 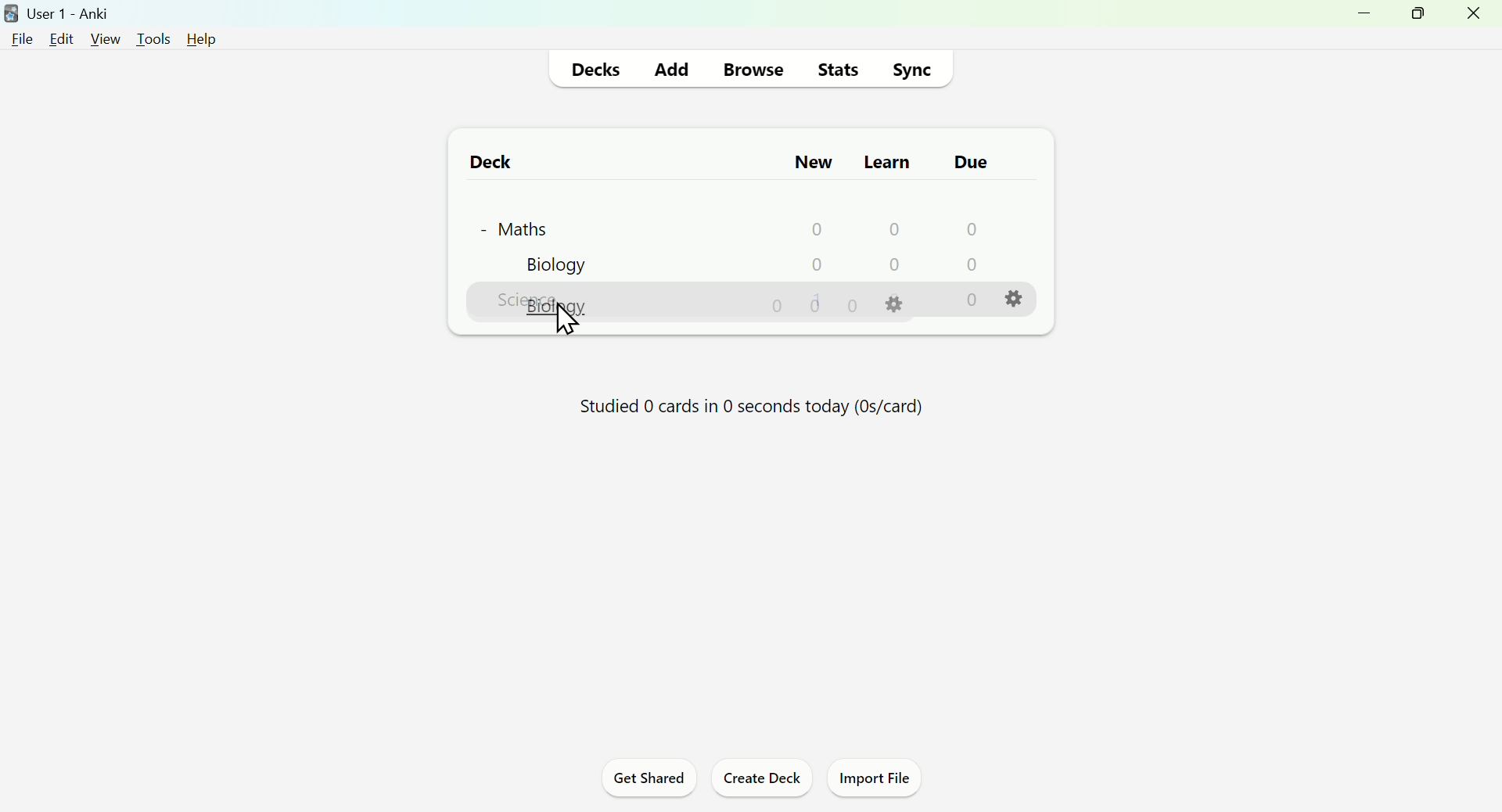 I want to click on 0, so click(x=817, y=228).